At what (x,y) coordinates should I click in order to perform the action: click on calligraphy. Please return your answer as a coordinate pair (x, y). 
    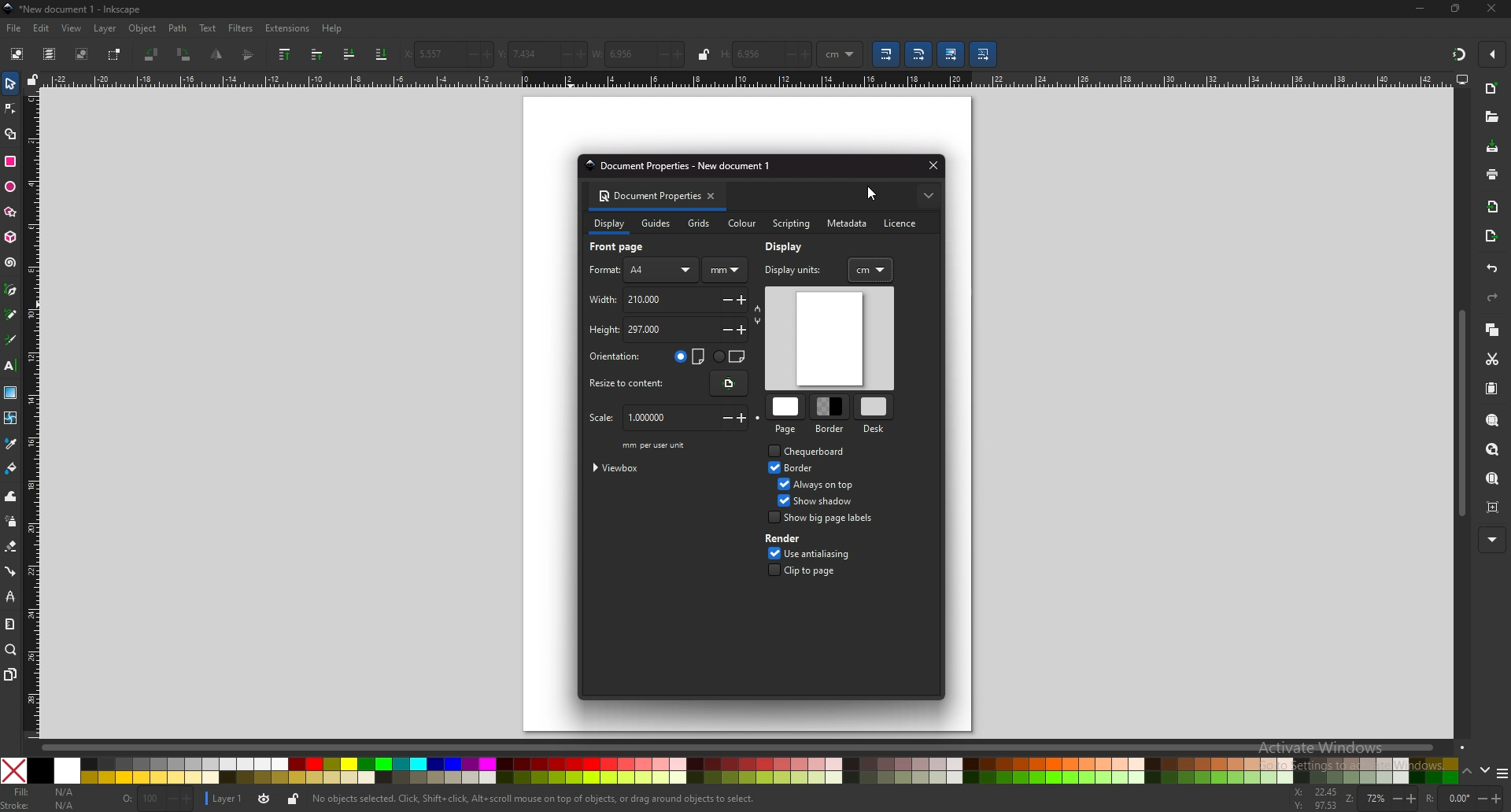
    Looking at the image, I should click on (9, 339).